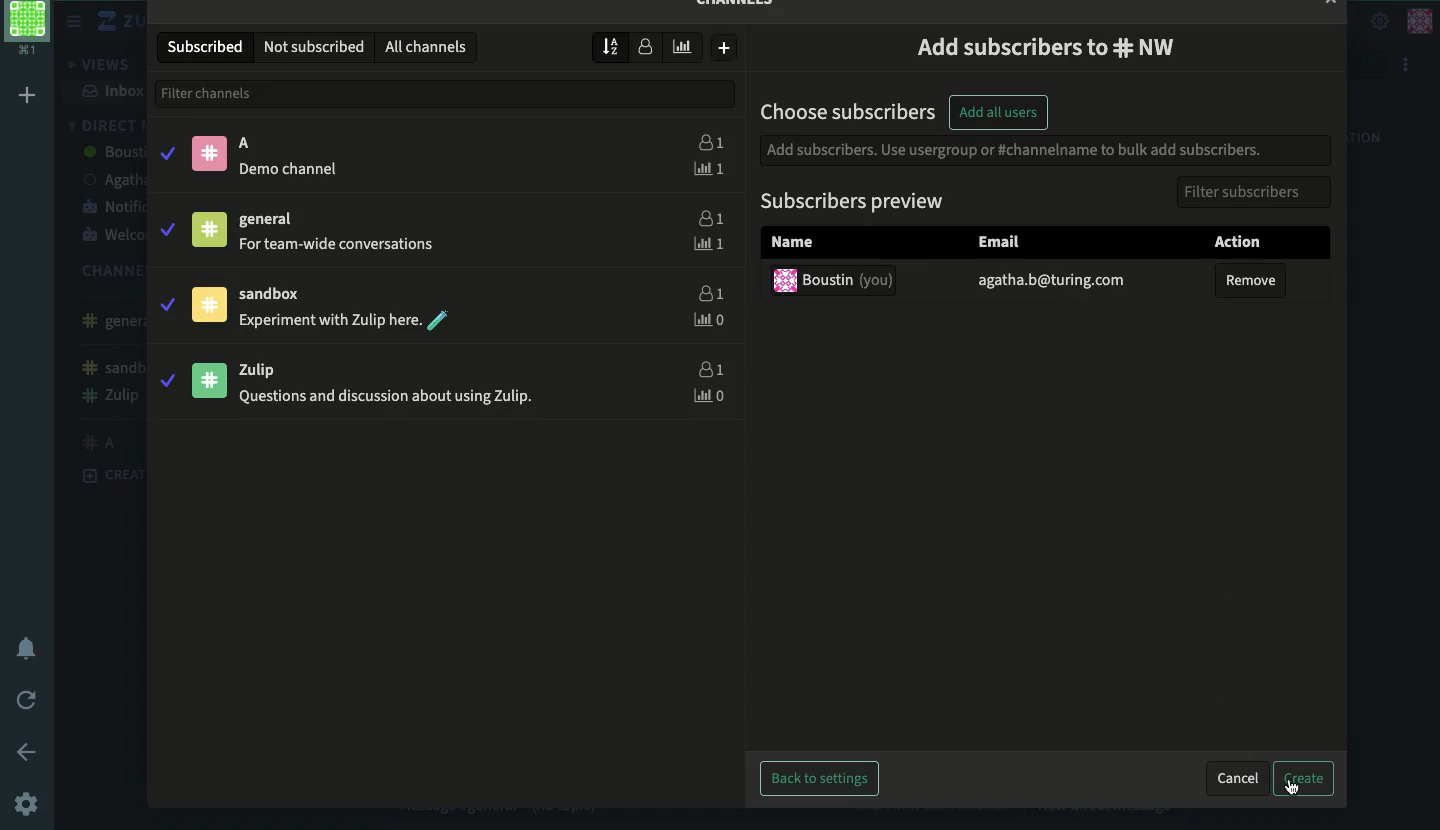  I want to click on email, so click(1004, 243).